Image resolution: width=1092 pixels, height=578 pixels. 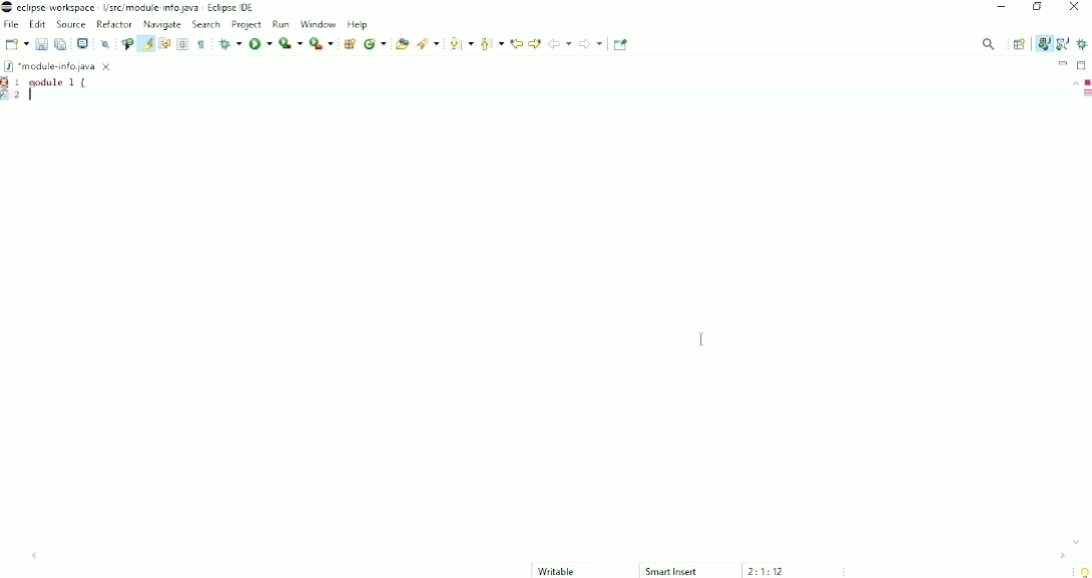 What do you see at coordinates (61, 44) in the screenshot?
I see `Save All` at bounding box center [61, 44].